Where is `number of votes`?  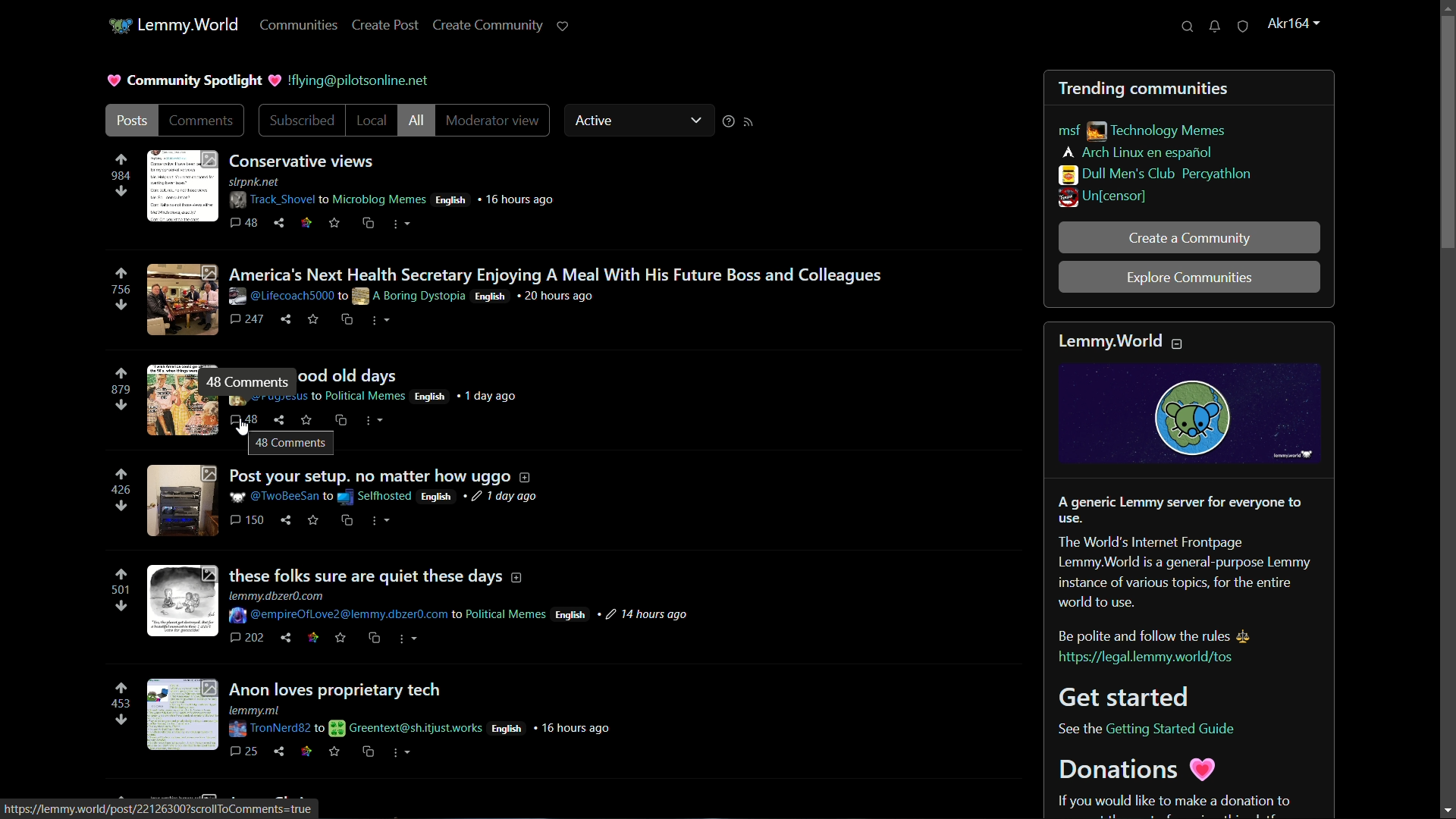
number of votes is located at coordinates (120, 175).